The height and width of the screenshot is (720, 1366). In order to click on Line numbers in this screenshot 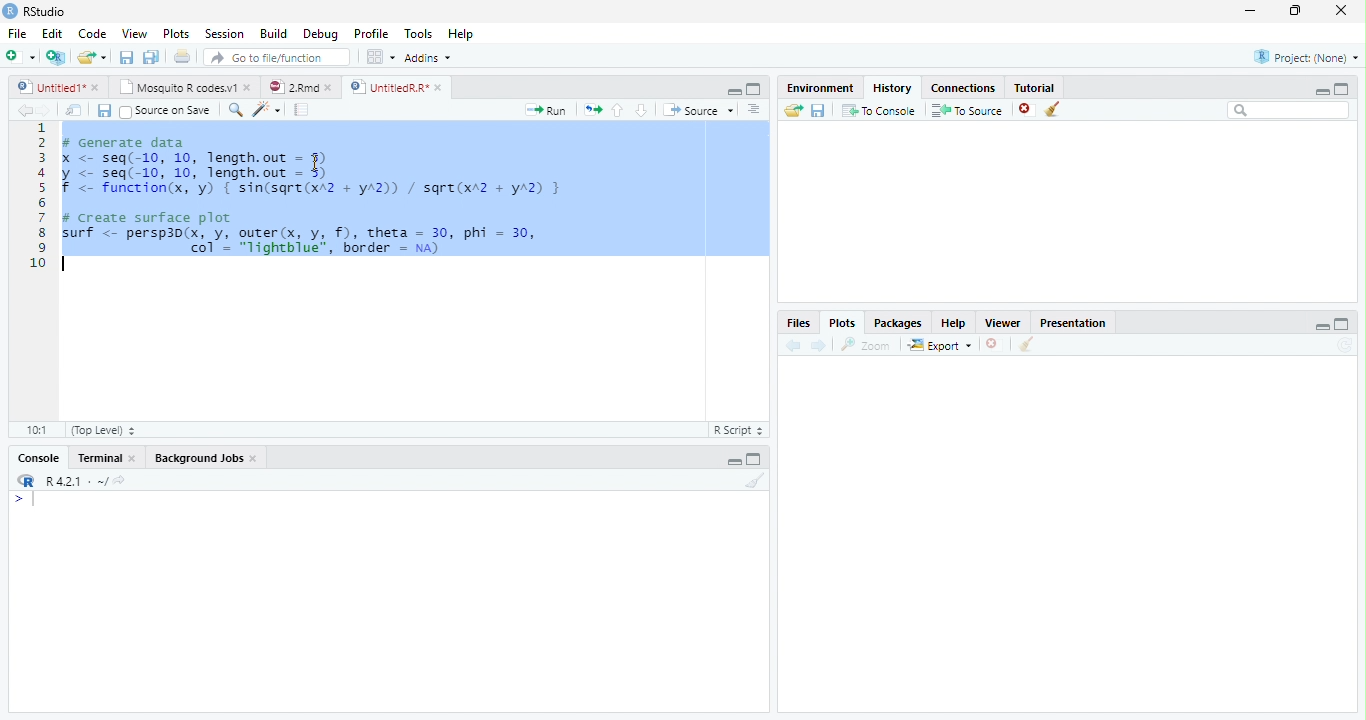, I will do `click(39, 197)`.